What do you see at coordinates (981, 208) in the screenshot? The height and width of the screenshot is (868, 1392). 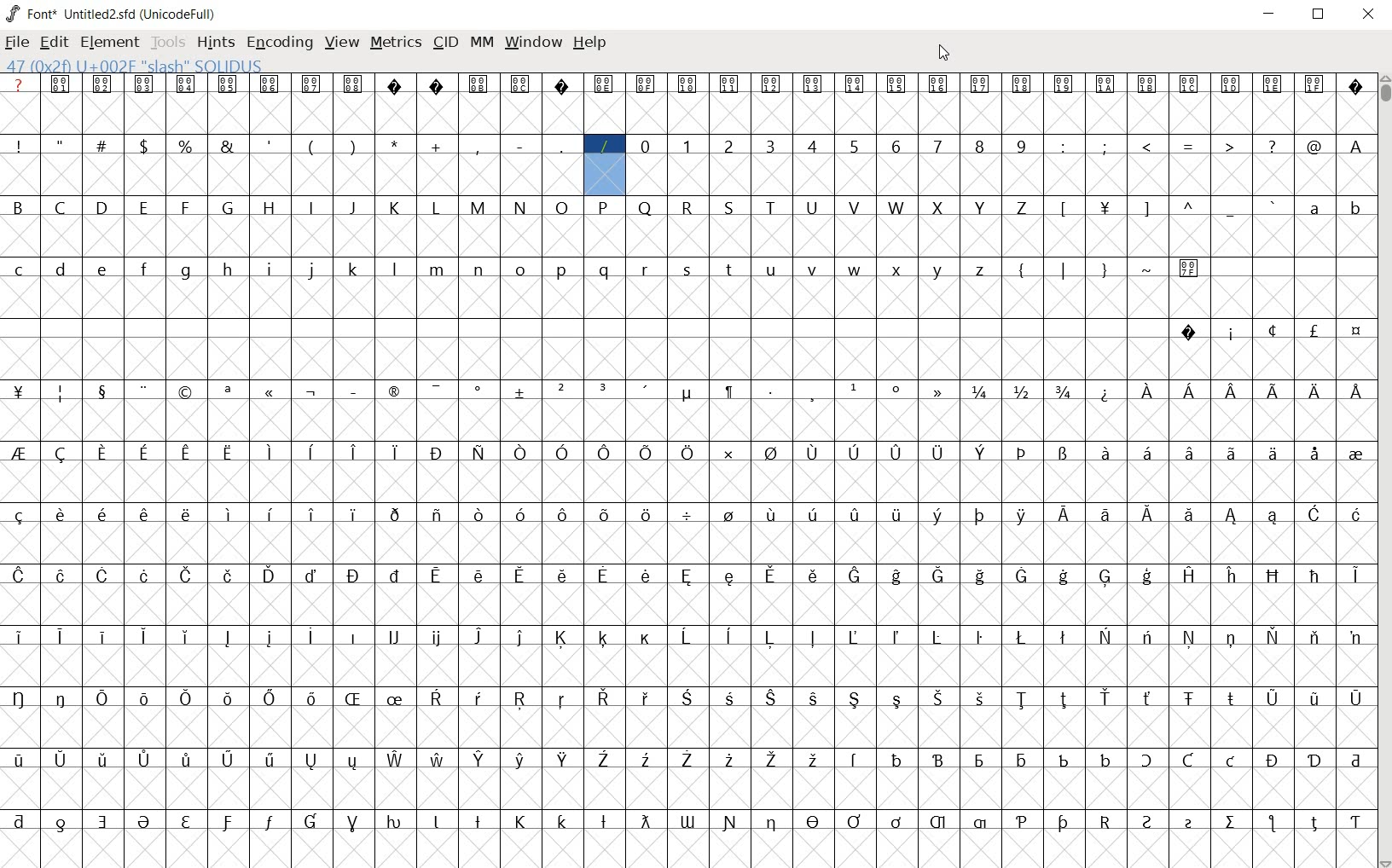 I see `glyph` at bounding box center [981, 208].